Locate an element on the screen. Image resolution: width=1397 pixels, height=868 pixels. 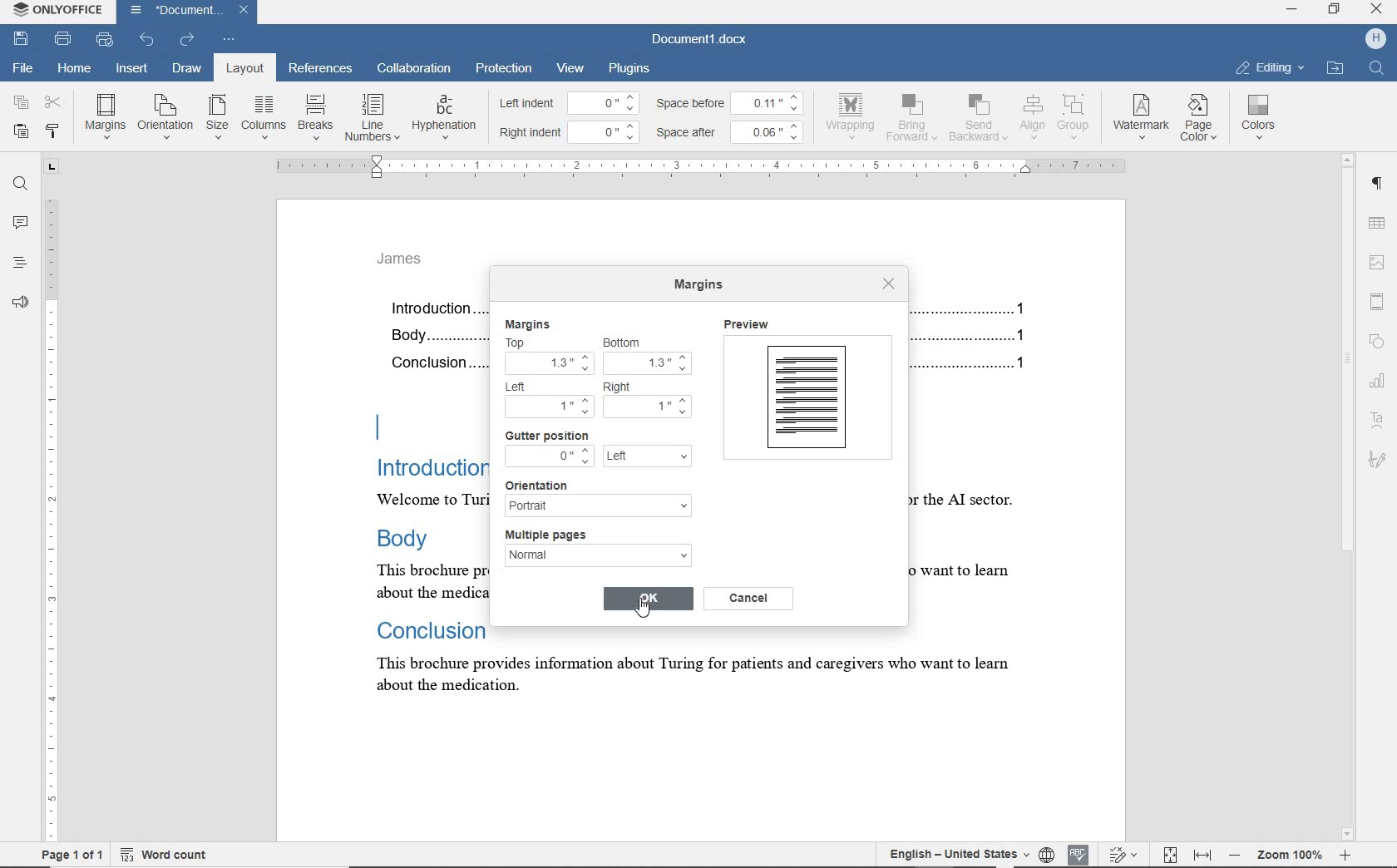
undo is located at coordinates (146, 40).